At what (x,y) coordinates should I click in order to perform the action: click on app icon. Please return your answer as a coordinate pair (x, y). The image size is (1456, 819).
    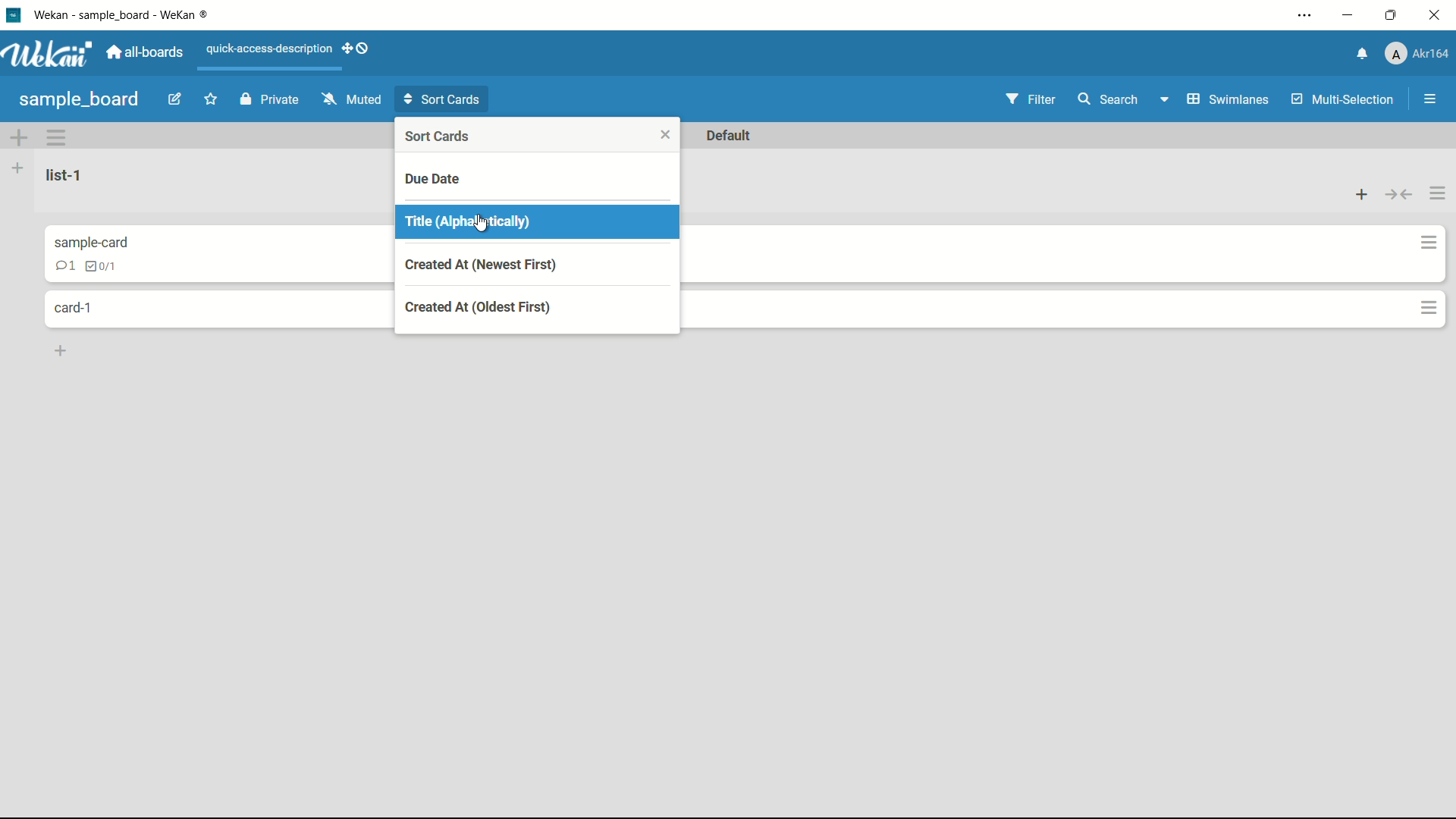
    Looking at the image, I should click on (13, 14).